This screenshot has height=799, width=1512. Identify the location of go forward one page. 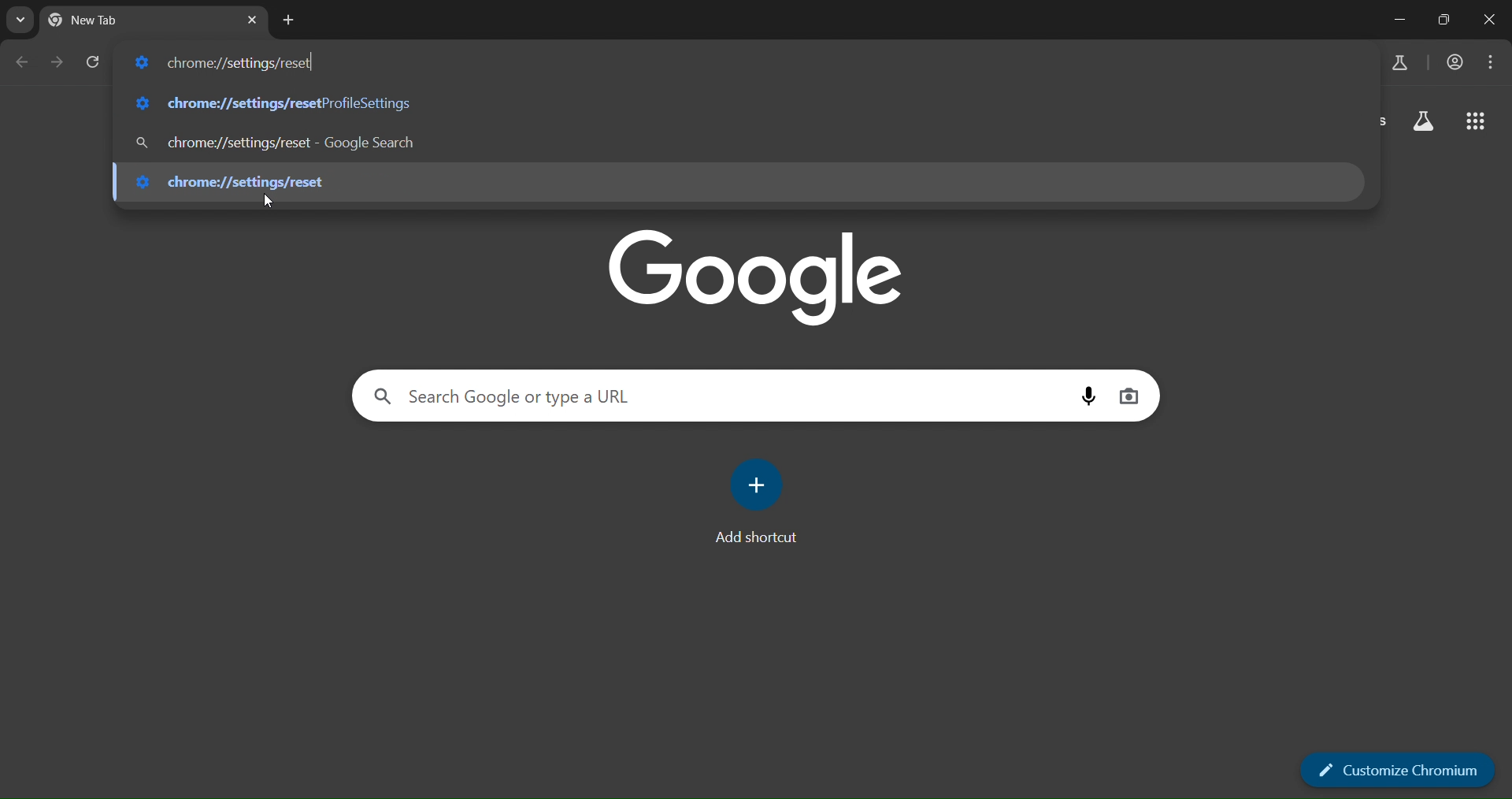
(55, 62).